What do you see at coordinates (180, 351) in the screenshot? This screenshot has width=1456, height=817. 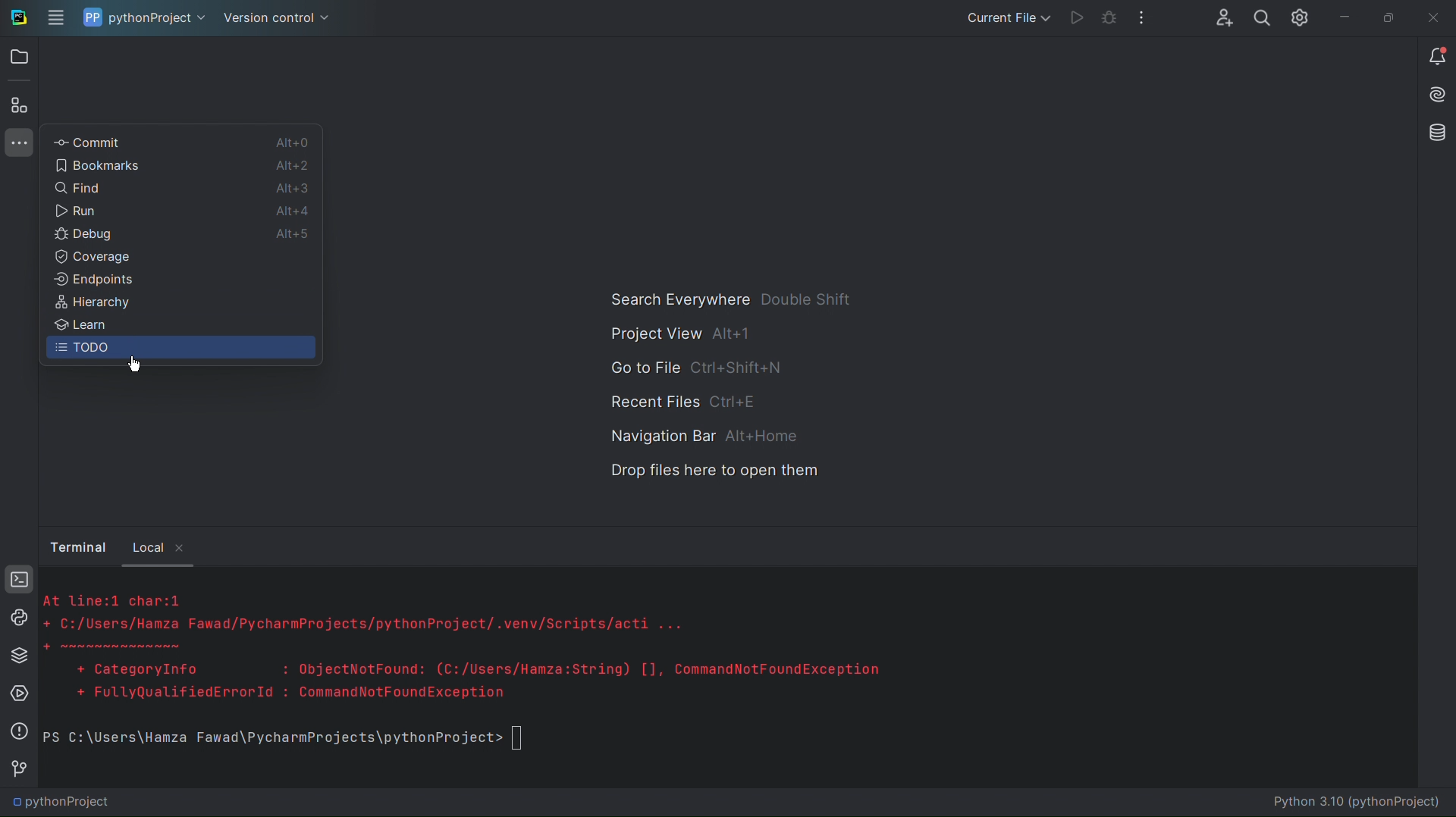 I see `Todo` at bounding box center [180, 351].